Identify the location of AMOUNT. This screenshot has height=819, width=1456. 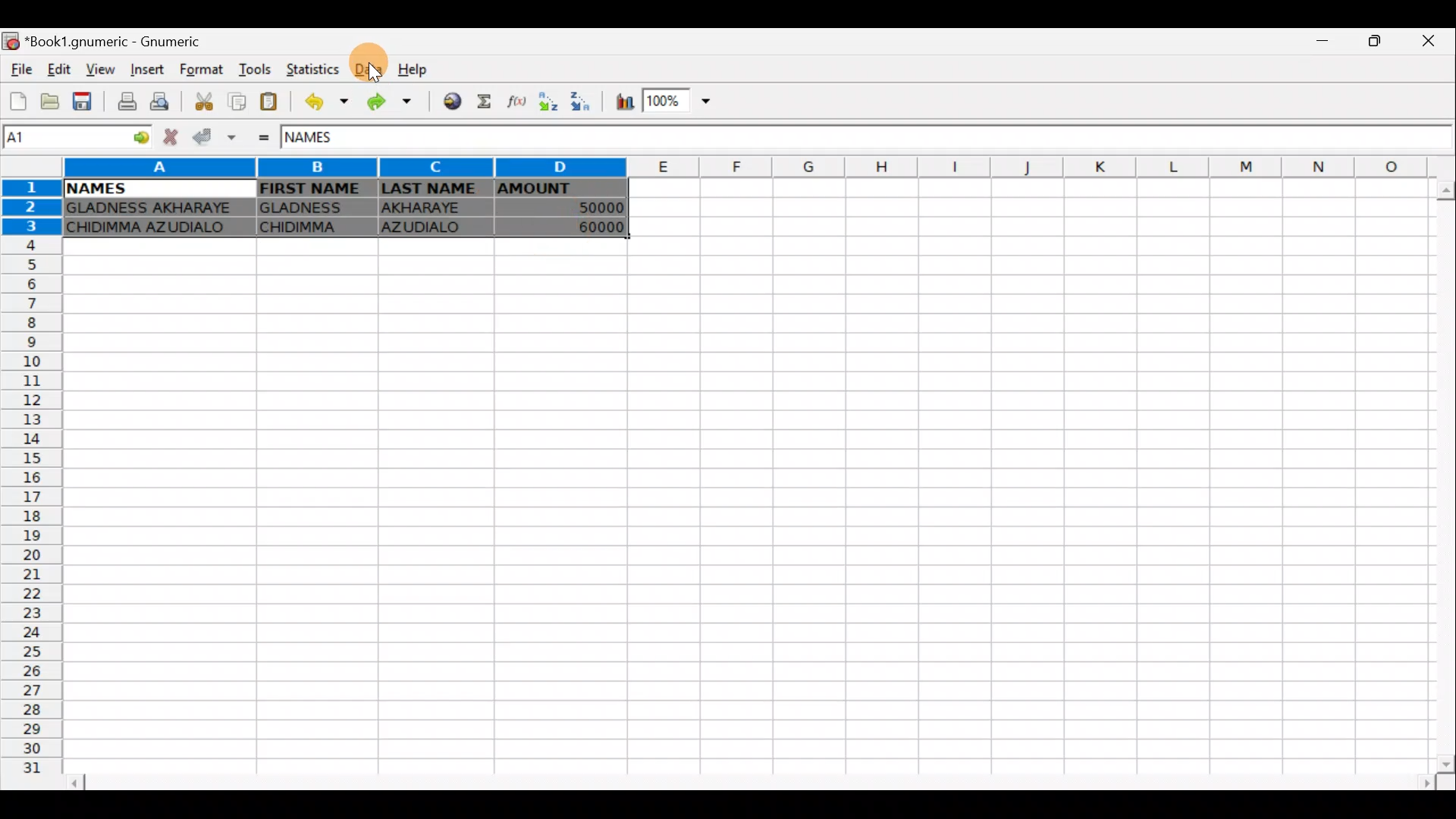
(558, 190).